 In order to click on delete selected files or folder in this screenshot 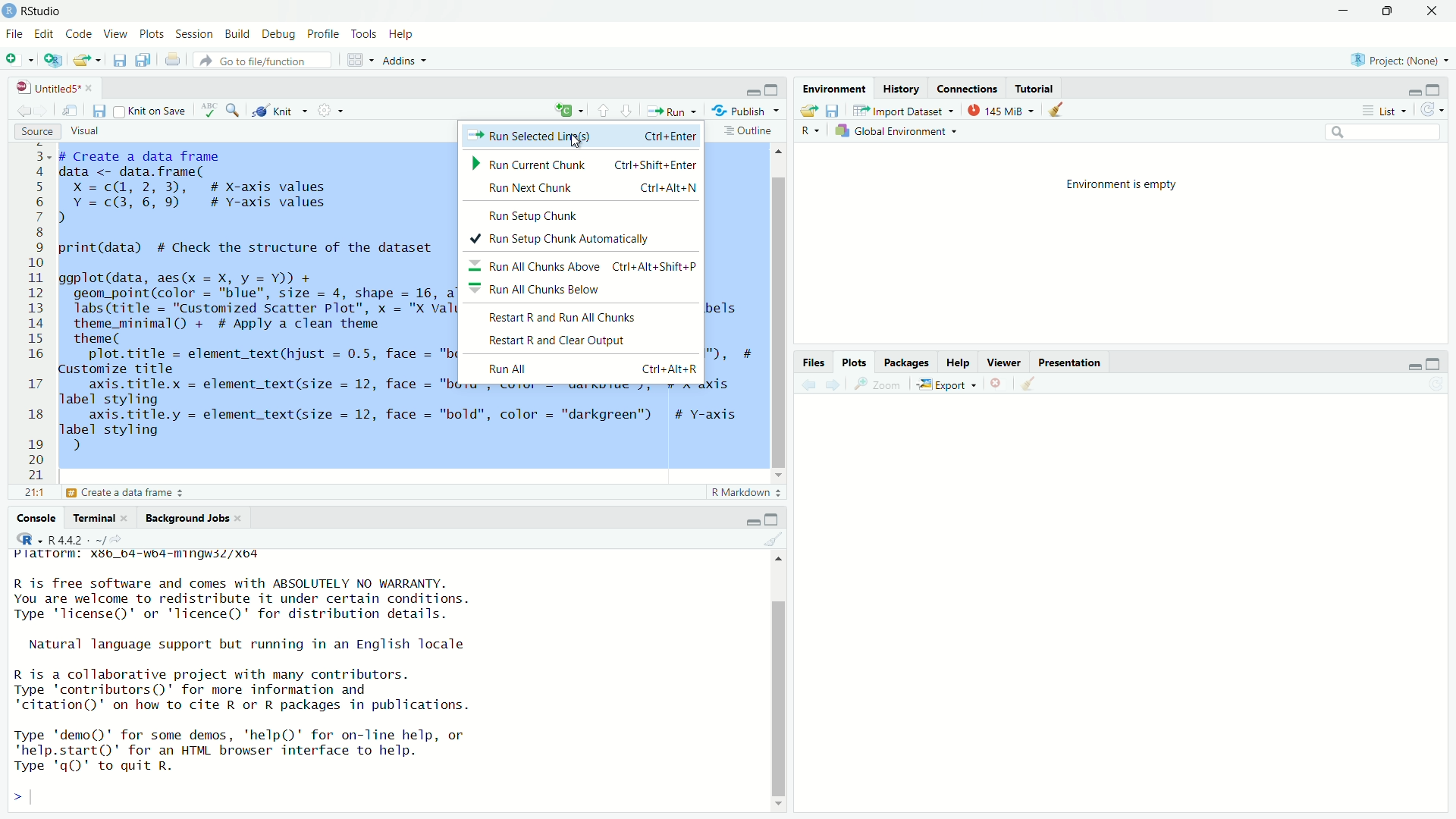, I will do `click(997, 385)`.